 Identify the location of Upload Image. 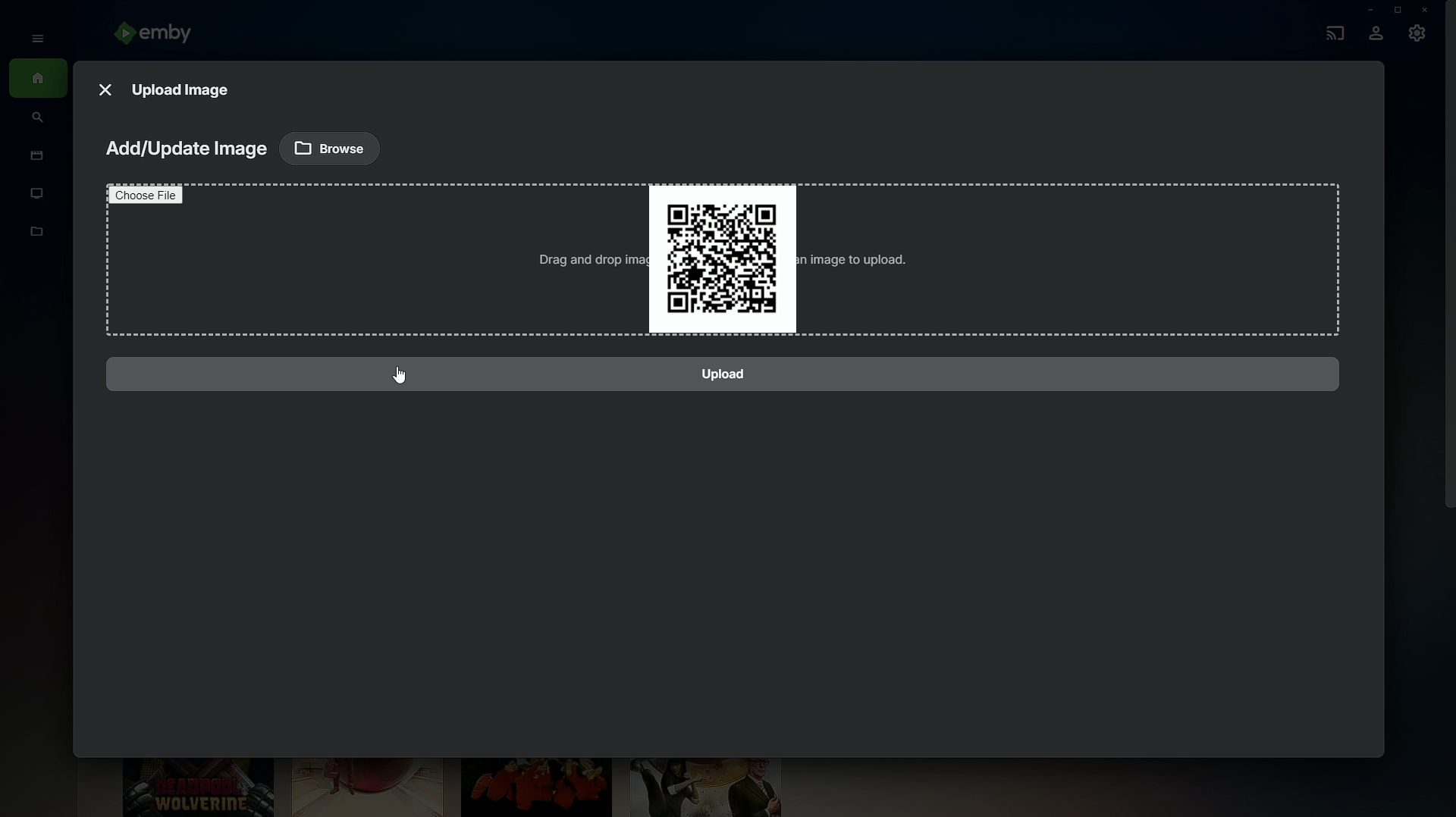
(183, 88).